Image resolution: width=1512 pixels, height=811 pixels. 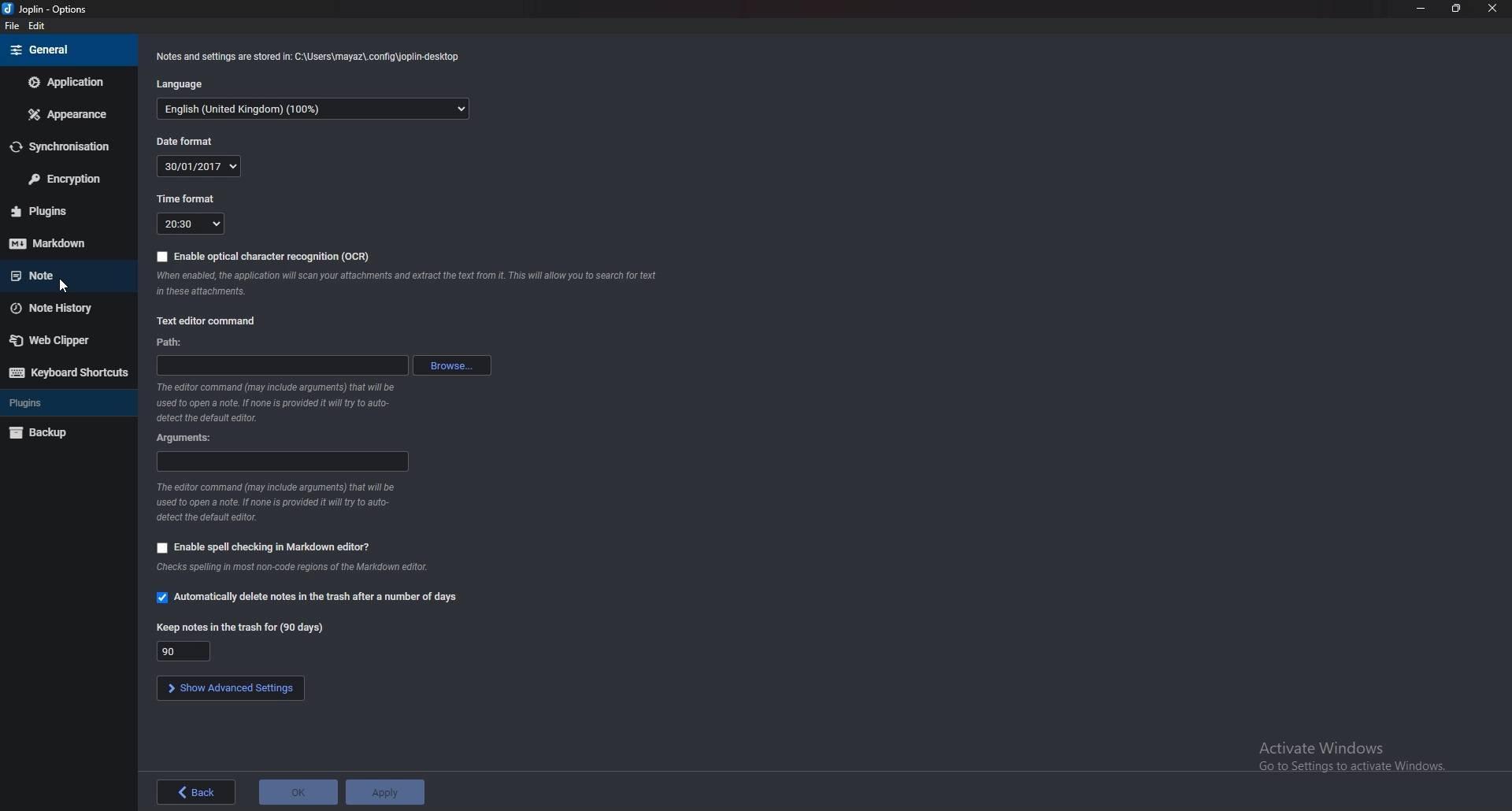 I want to click on file, so click(x=14, y=26).